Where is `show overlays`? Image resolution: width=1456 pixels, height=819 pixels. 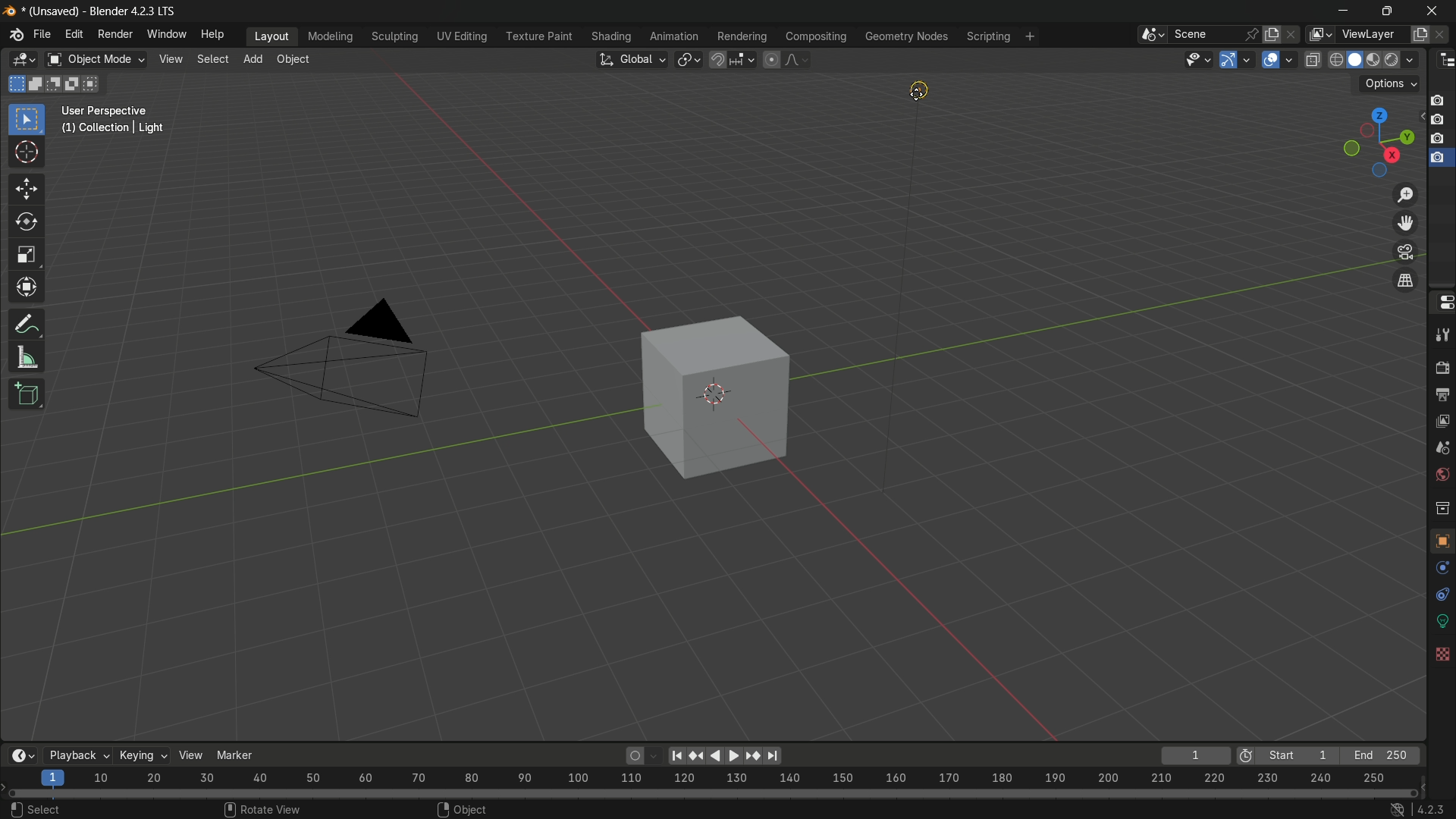
show overlays is located at coordinates (1269, 59).